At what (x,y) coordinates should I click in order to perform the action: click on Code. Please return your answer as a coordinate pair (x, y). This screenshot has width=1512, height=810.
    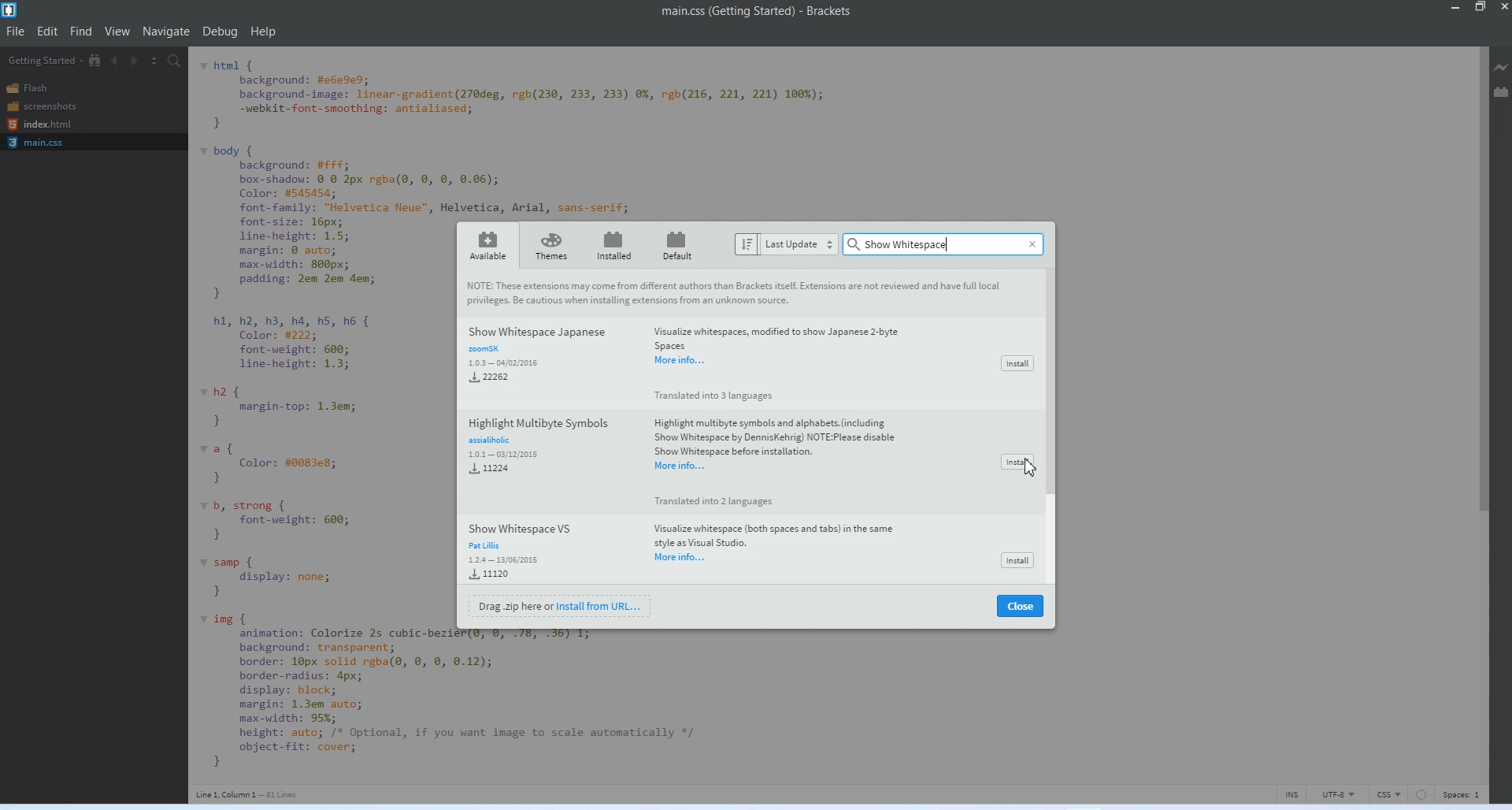
    Looking at the image, I should click on (537, 132).